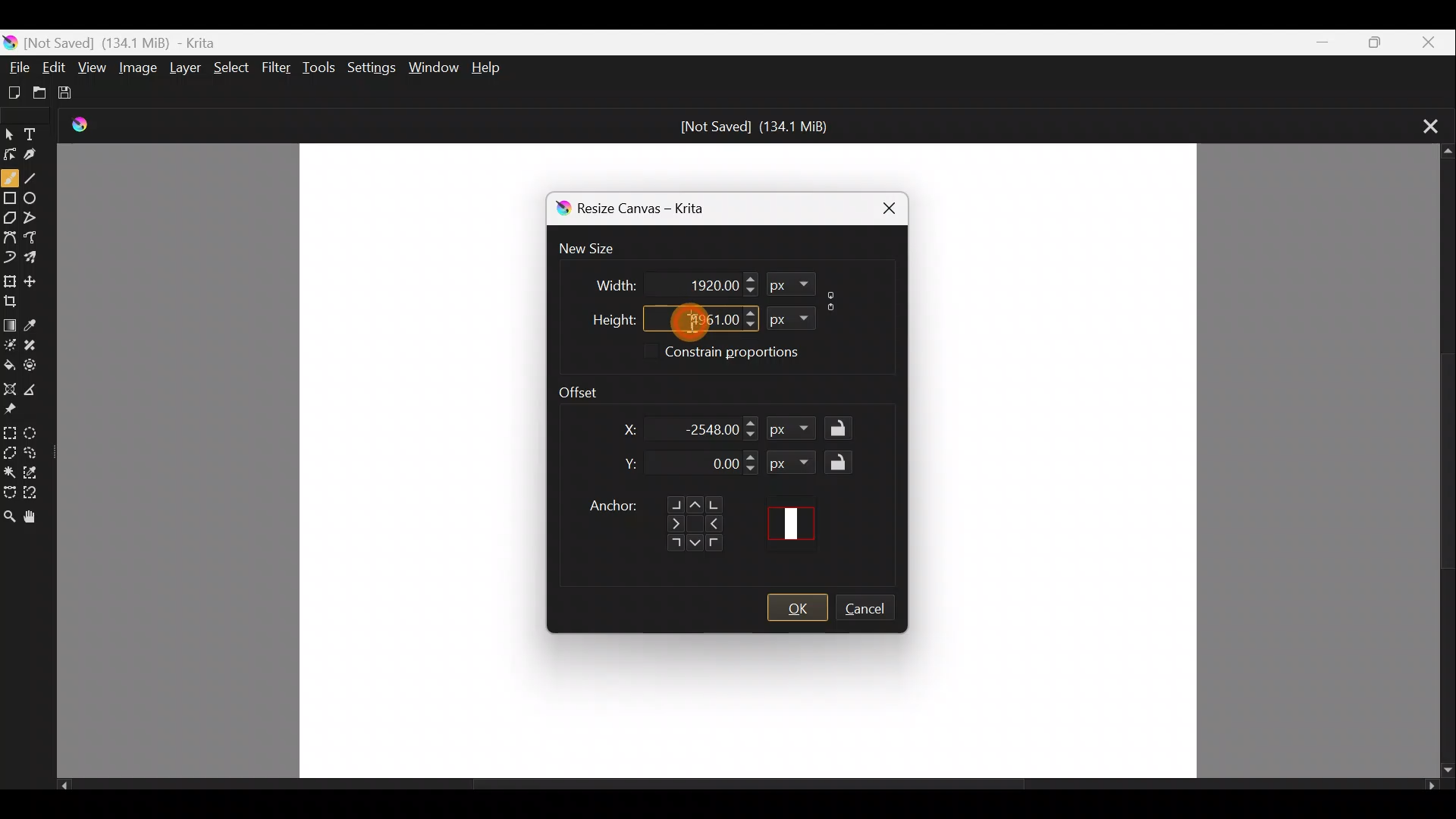  I want to click on File, so click(17, 64).